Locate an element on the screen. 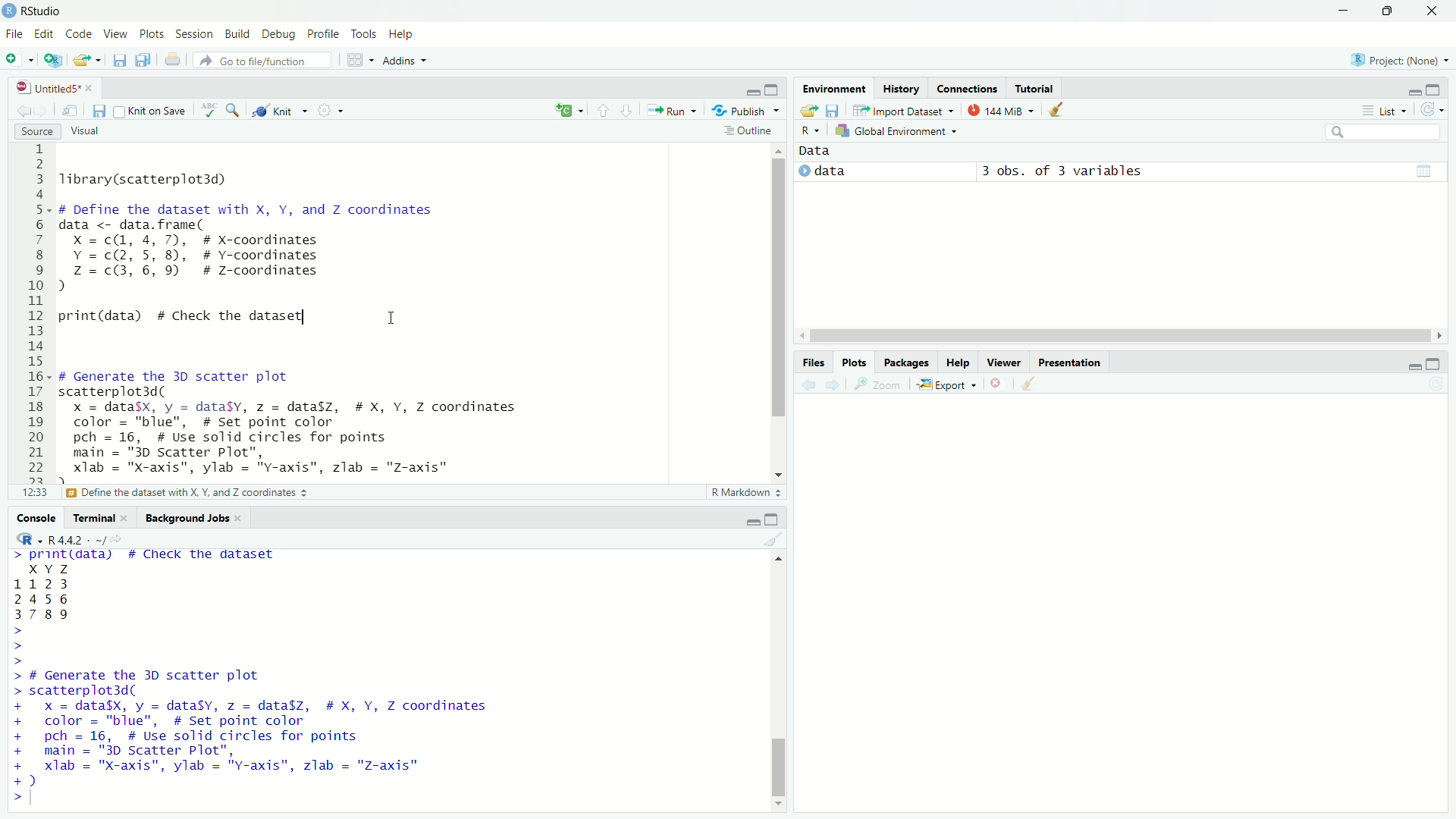  RStudio is located at coordinates (47, 11).